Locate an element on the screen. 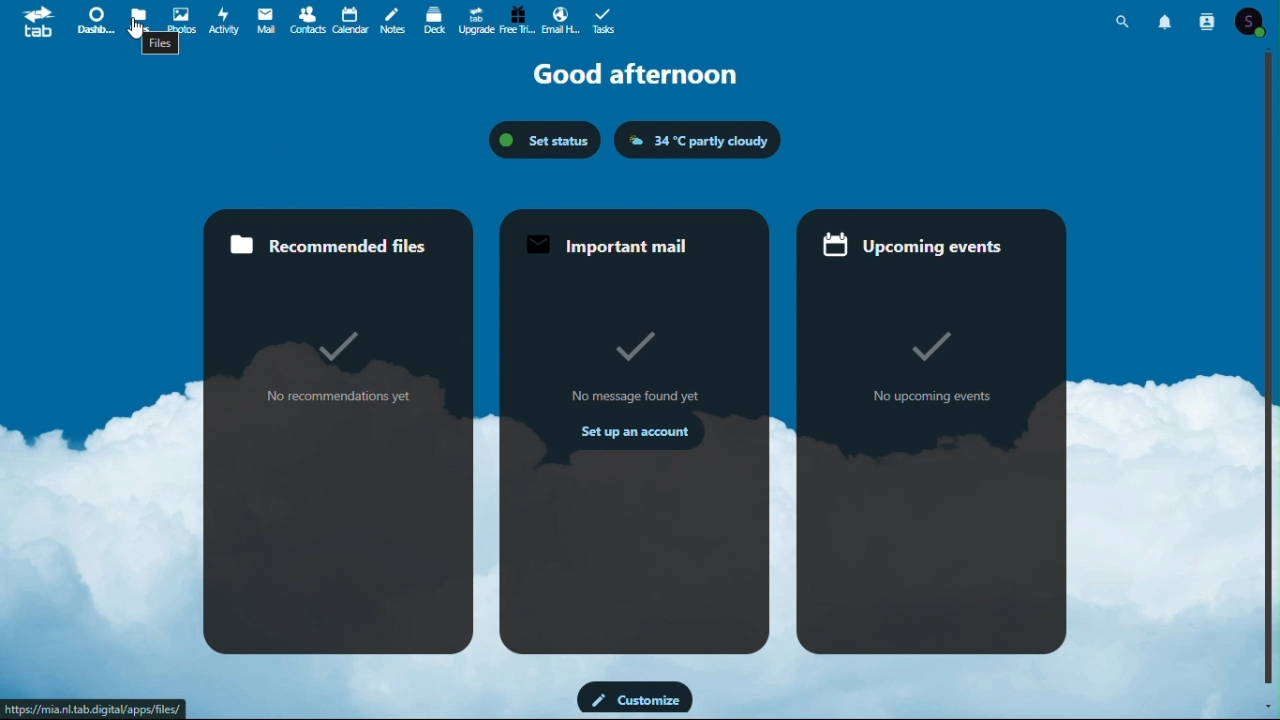 The width and height of the screenshot is (1280, 720). Email hosting is located at coordinates (561, 19).